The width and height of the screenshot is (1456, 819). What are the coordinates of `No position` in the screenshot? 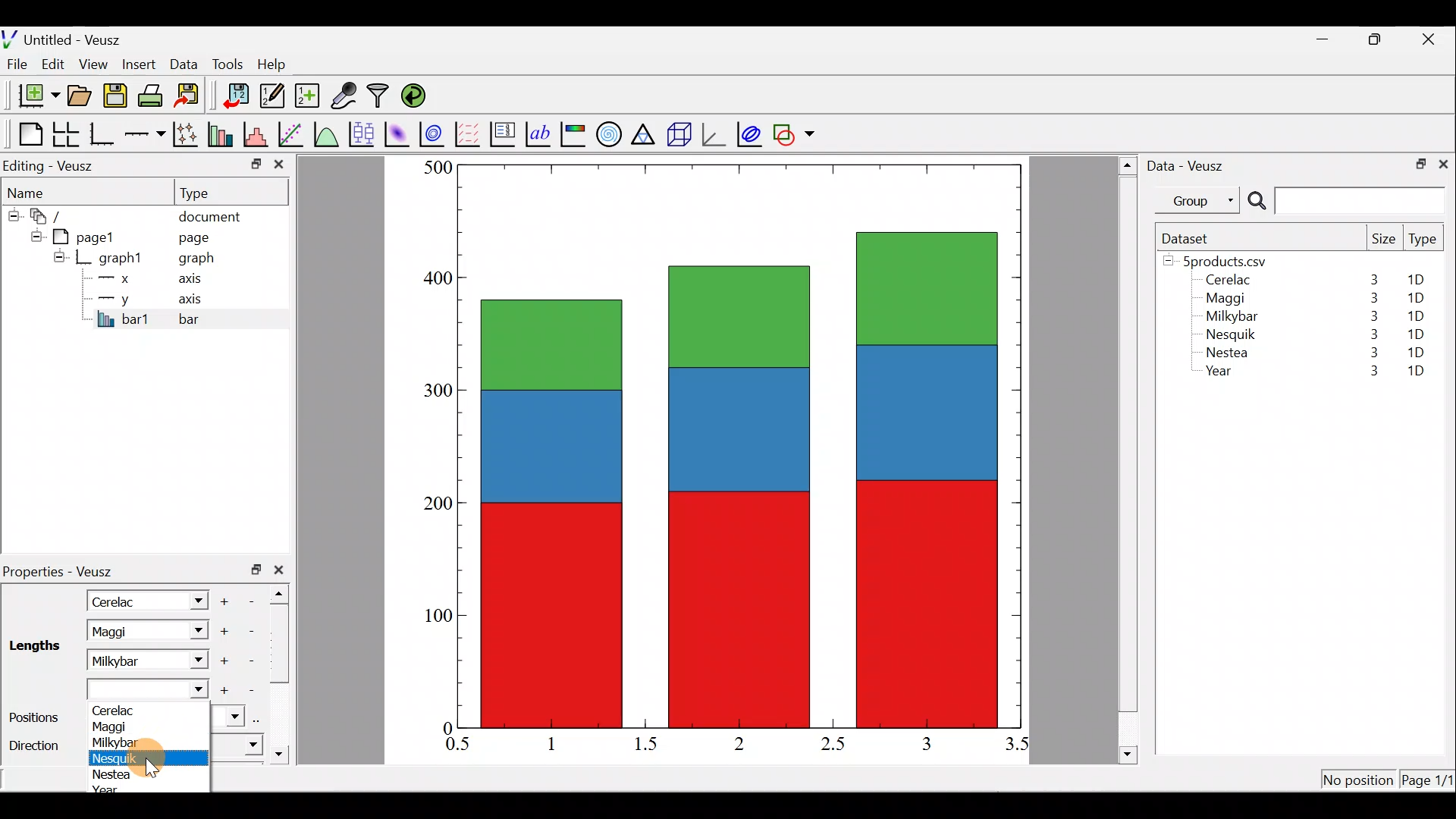 It's located at (1359, 781).